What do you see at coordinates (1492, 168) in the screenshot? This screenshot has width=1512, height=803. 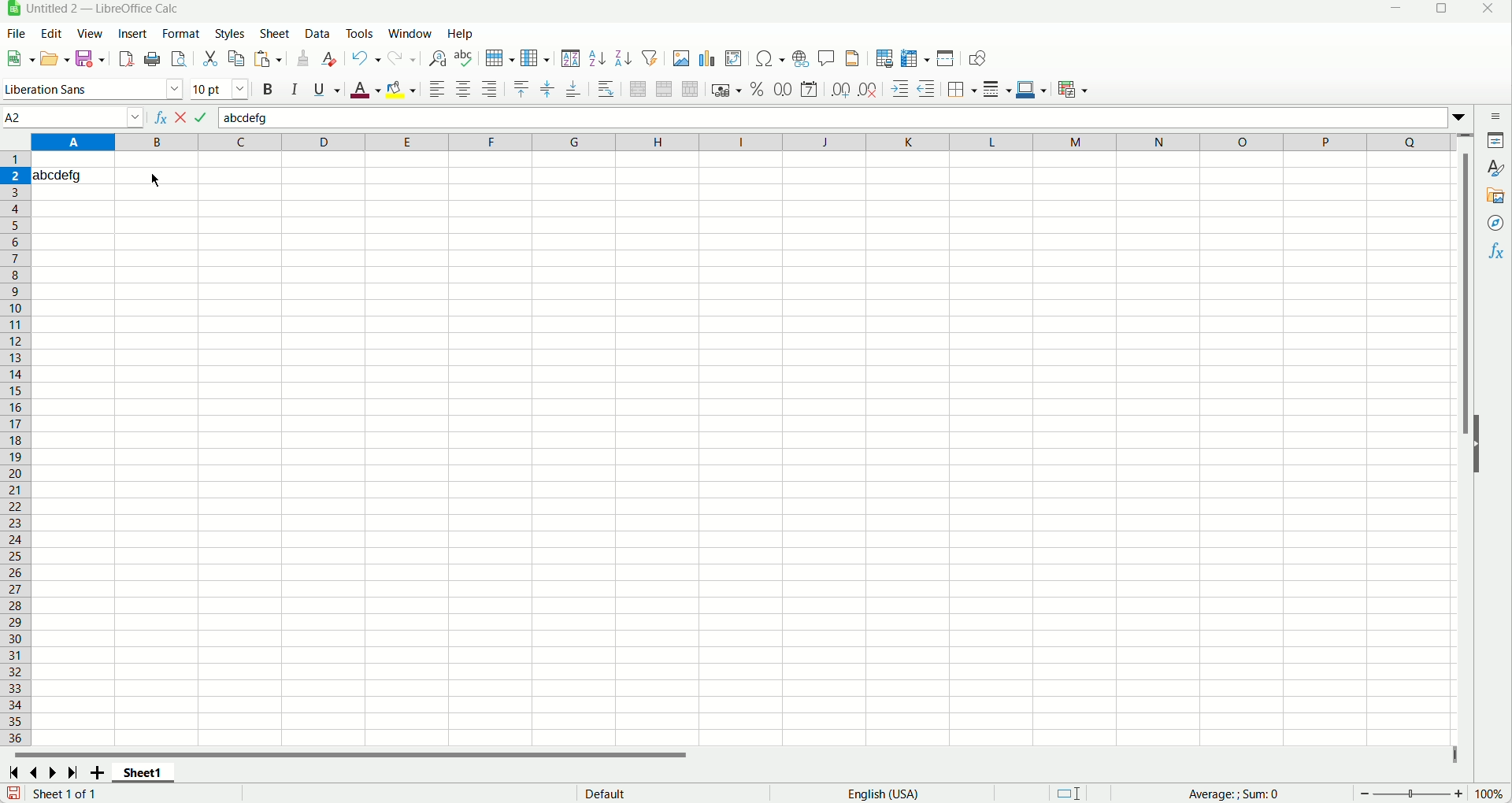 I see `style` at bounding box center [1492, 168].